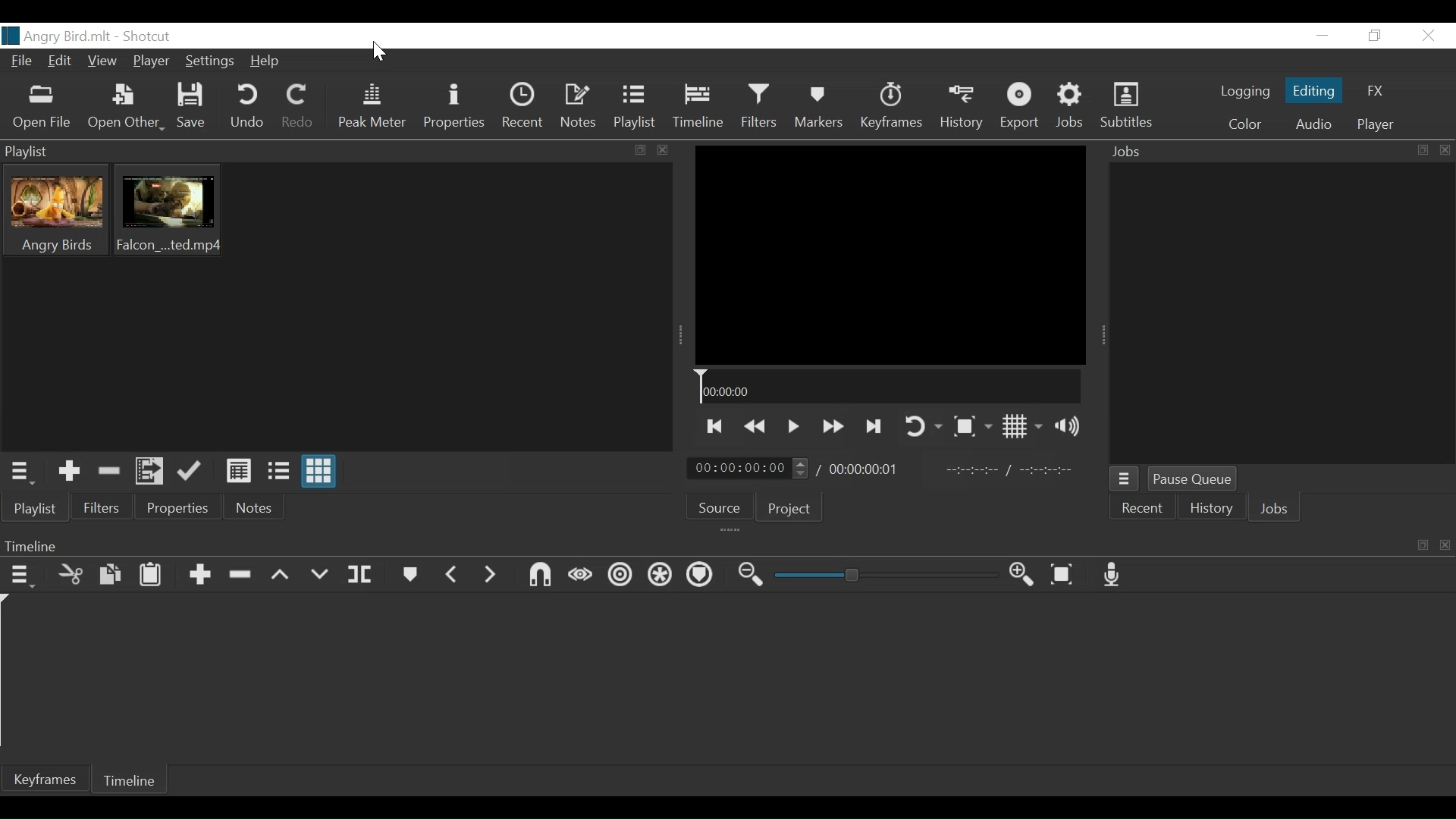 The image size is (1456, 819). Describe the element at coordinates (1373, 36) in the screenshot. I see `Restore` at that location.